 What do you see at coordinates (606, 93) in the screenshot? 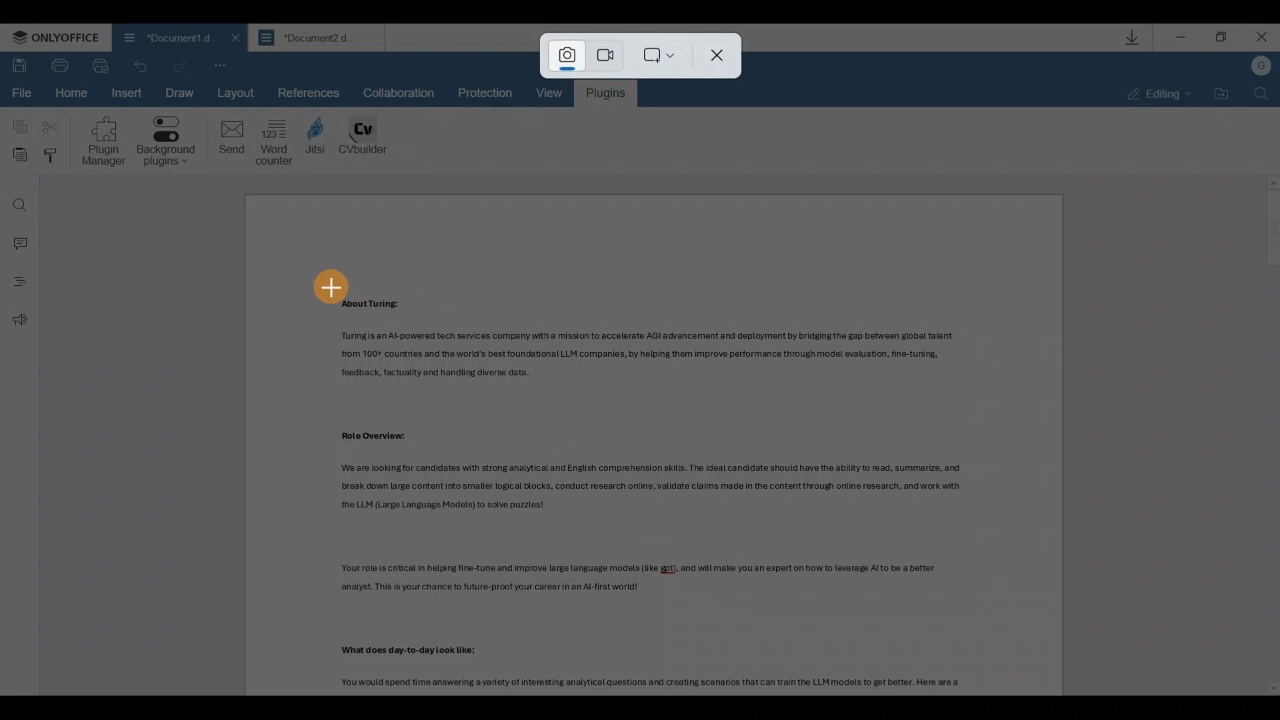
I see `Plugins` at bounding box center [606, 93].